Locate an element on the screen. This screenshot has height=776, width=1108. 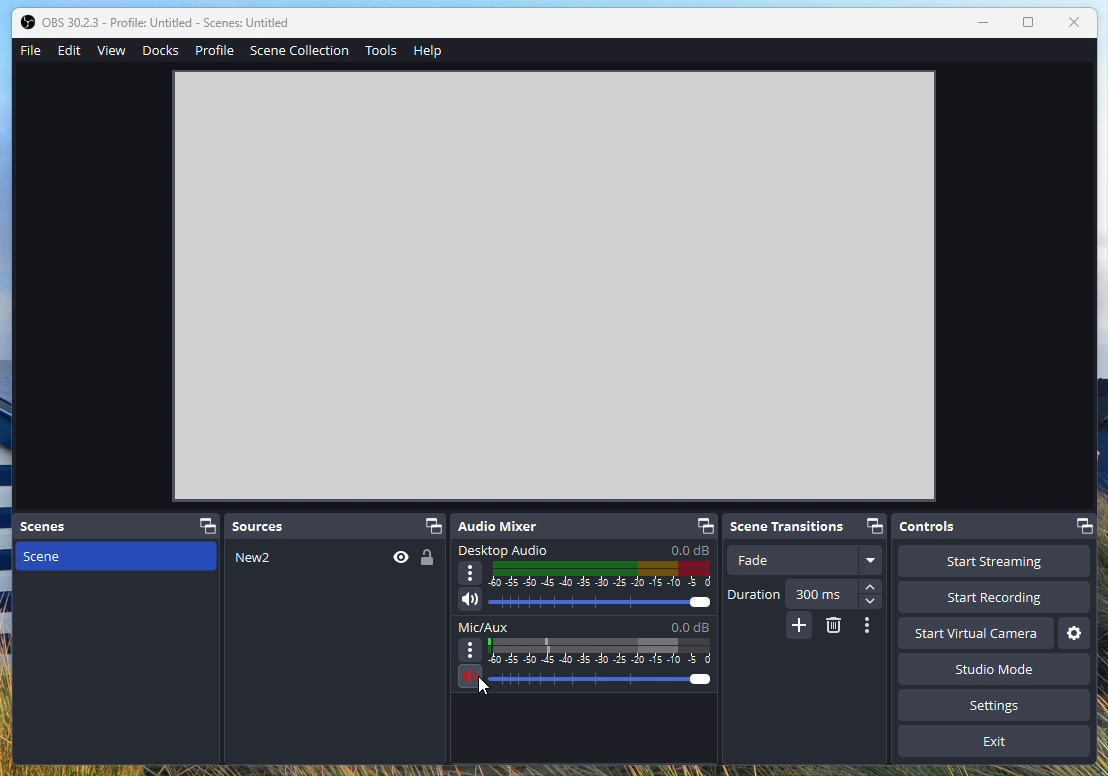
View is located at coordinates (113, 50).